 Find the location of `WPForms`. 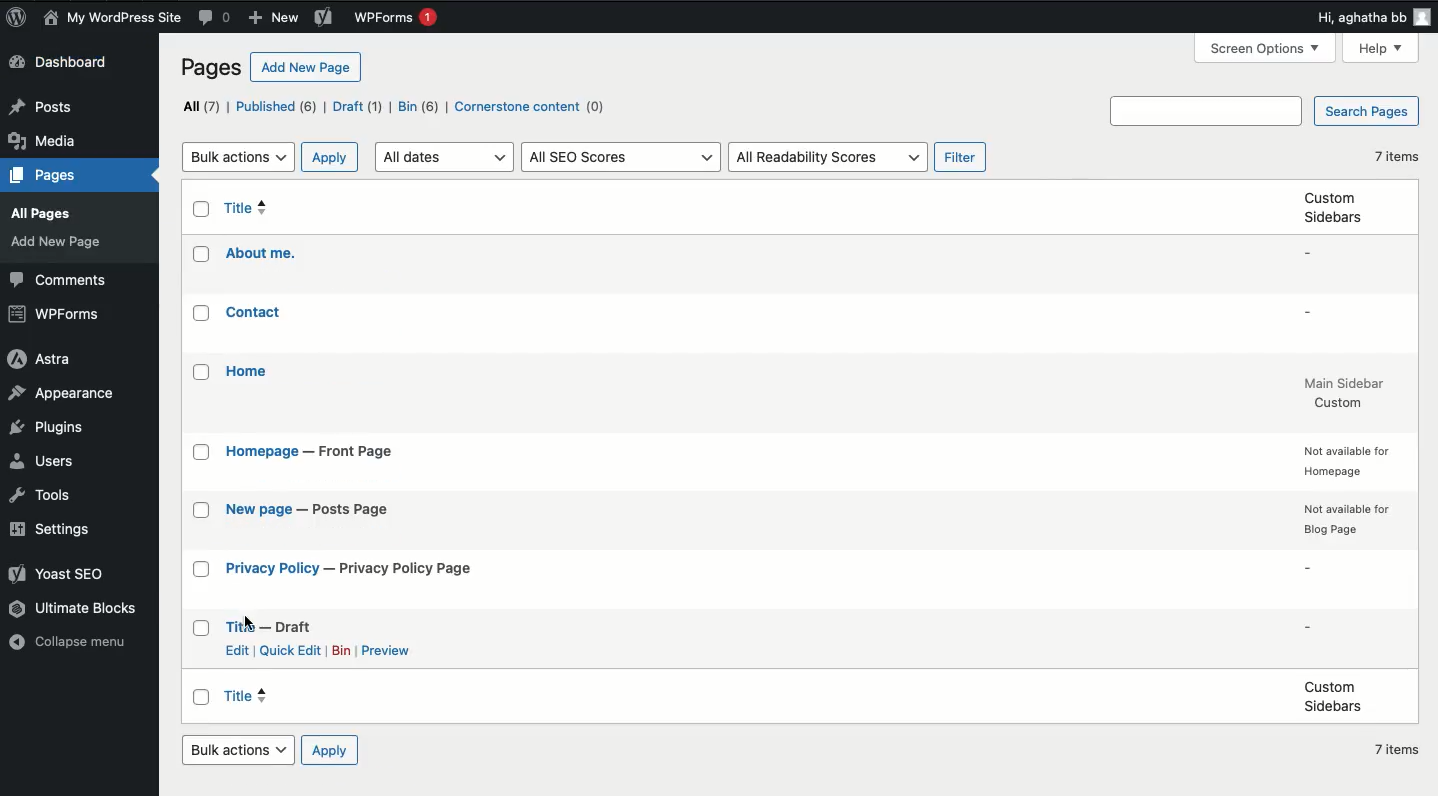

WPForms is located at coordinates (58, 315).